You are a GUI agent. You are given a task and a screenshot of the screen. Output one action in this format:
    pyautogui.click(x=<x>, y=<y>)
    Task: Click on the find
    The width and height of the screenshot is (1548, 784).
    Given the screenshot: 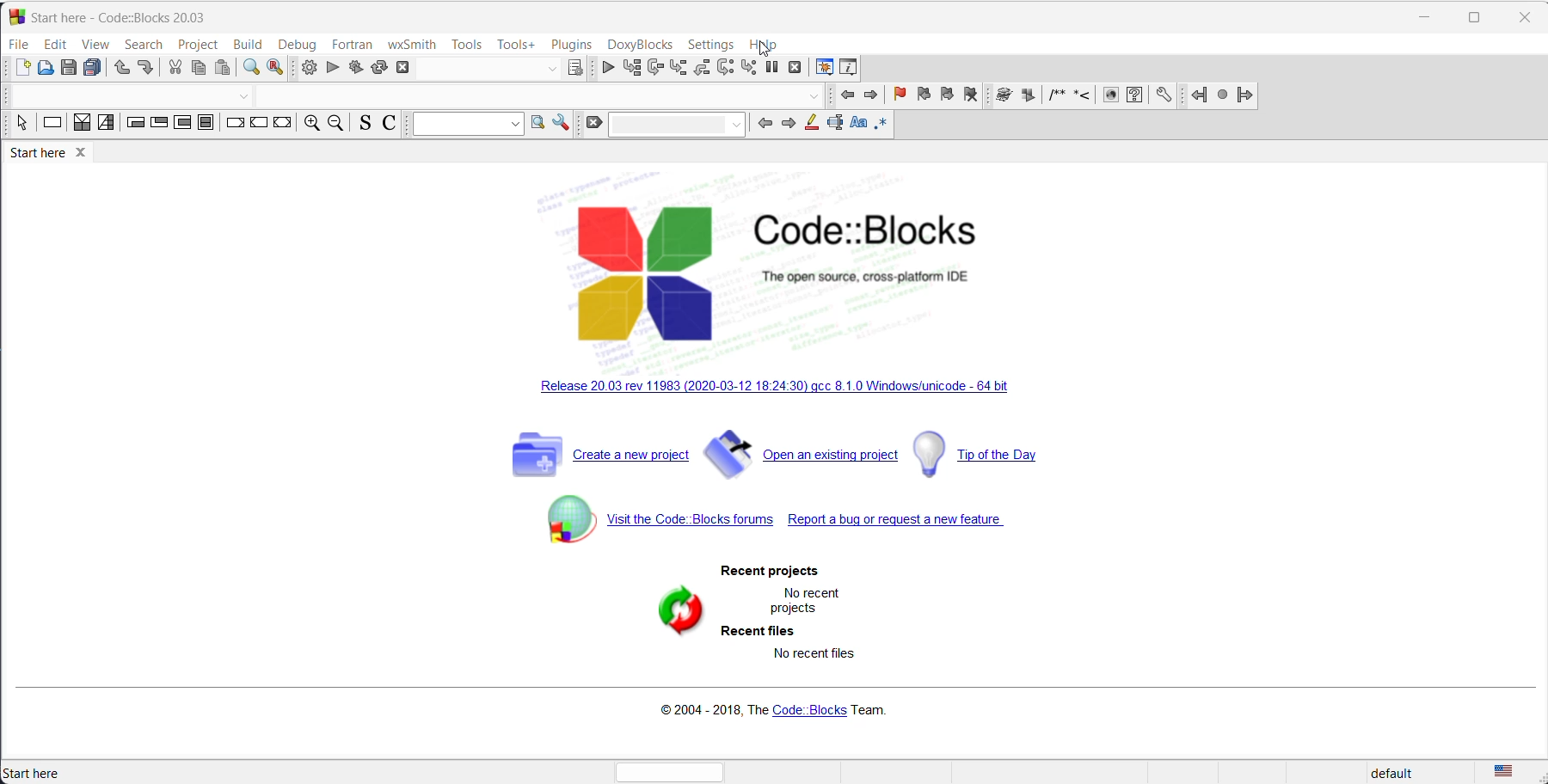 What is the action you would take?
    pyautogui.click(x=250, y=70)
    